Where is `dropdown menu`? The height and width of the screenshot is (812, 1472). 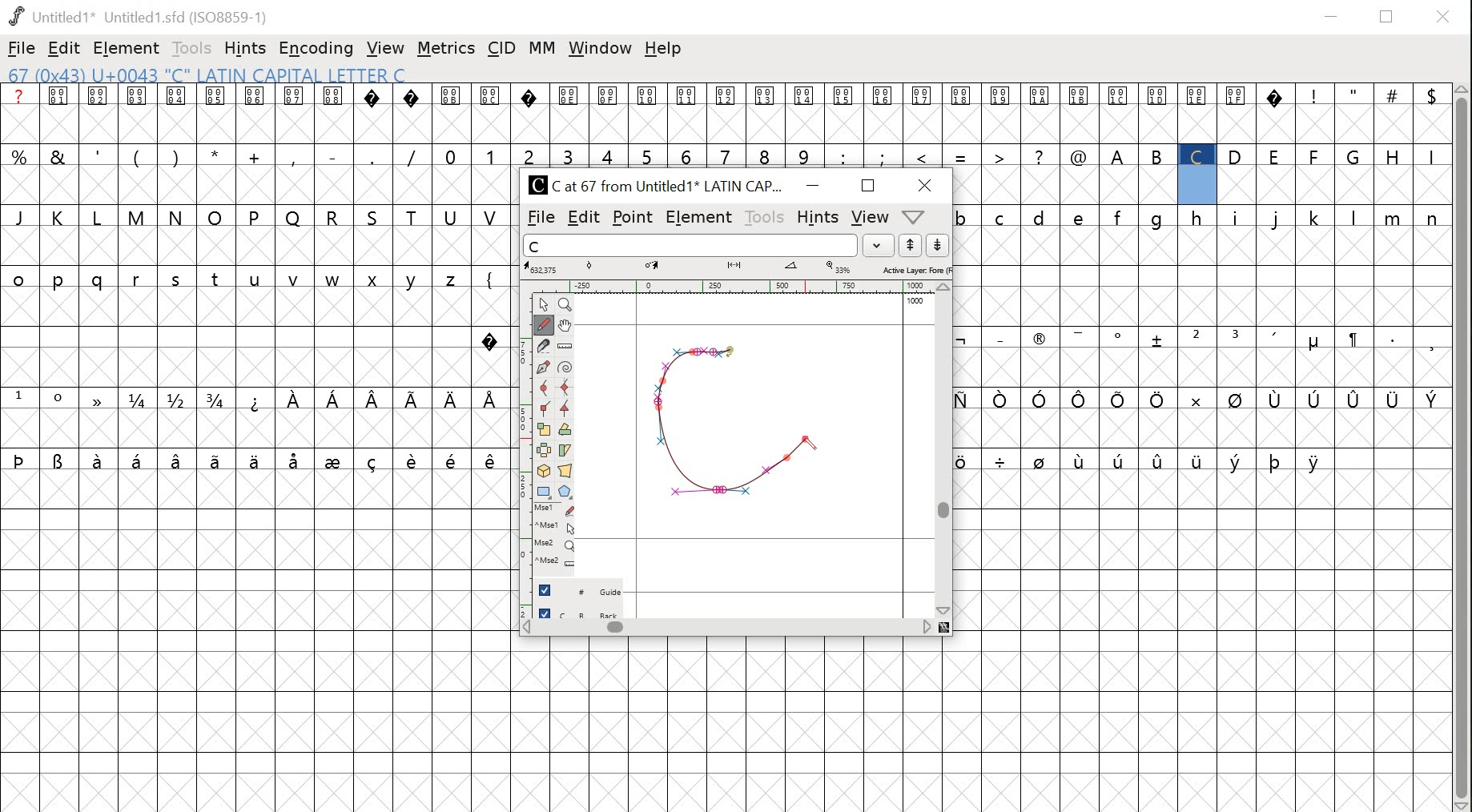 dropdown menu is located at coordinates (878, 245).